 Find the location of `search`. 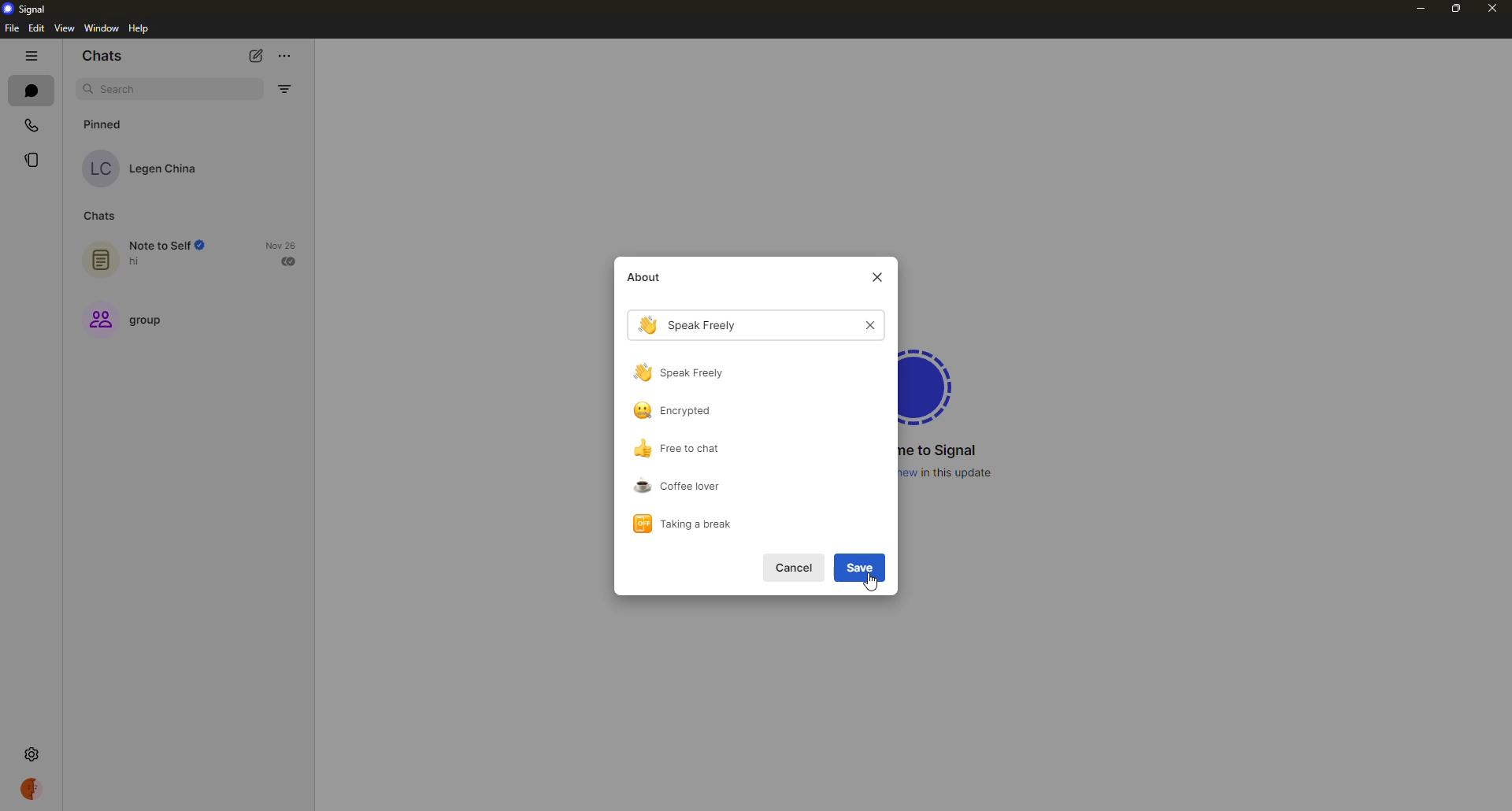

search is located at coordinates (123, 90).